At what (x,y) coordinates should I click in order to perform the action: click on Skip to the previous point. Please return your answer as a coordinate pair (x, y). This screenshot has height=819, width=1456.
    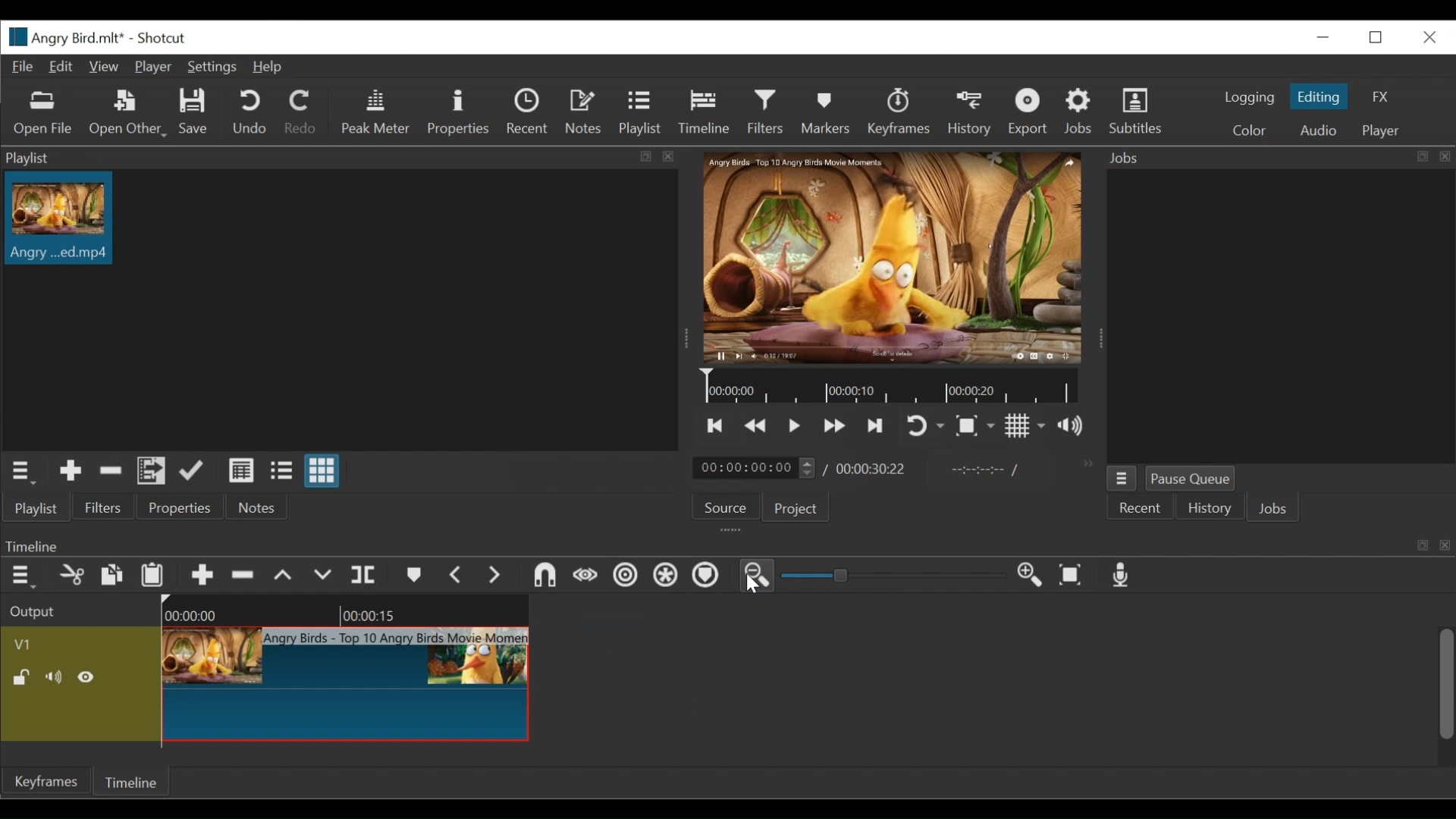
    Looking at the image, I should click on (715, 425).